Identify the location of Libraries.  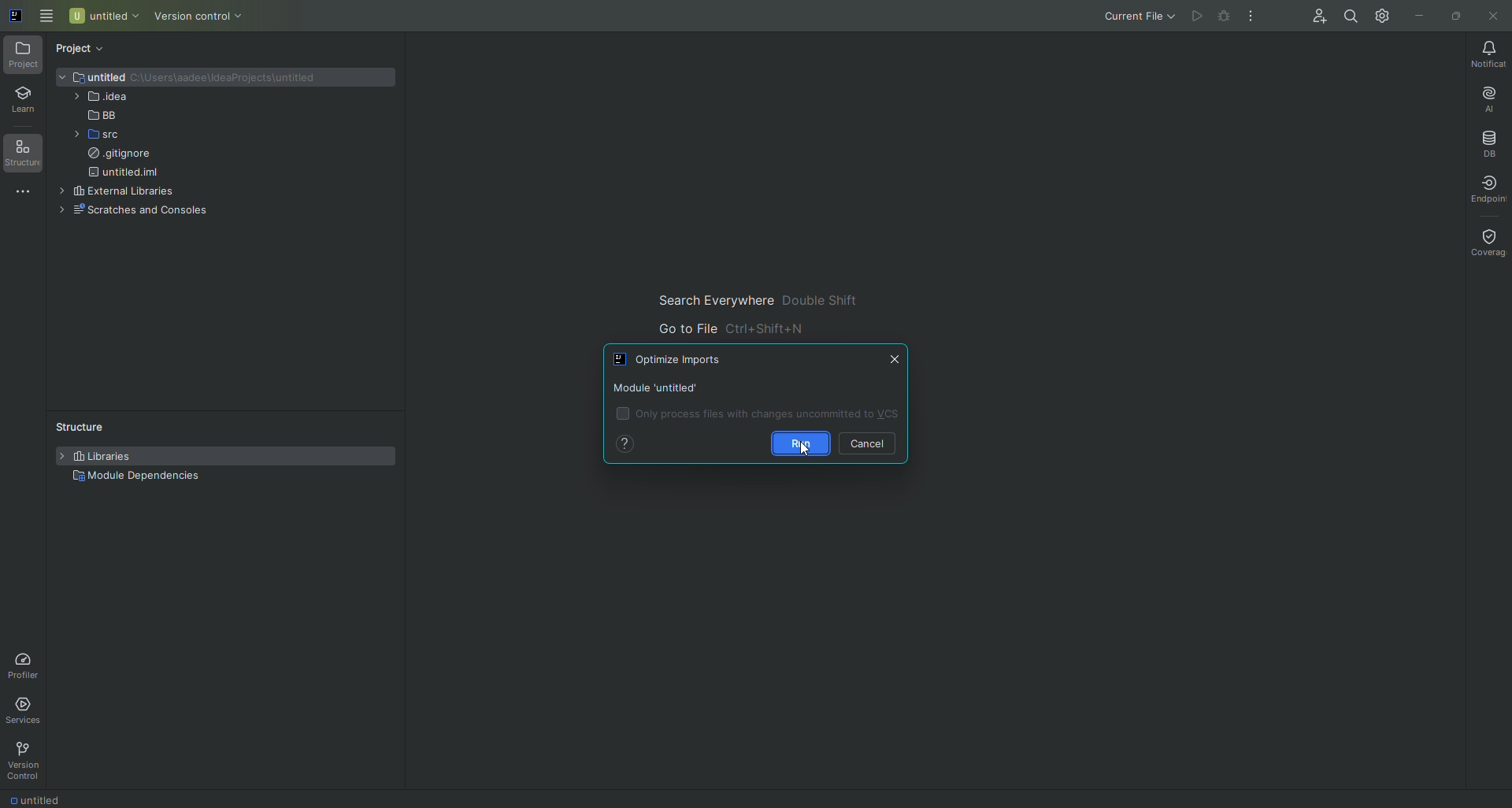
(102, 457).